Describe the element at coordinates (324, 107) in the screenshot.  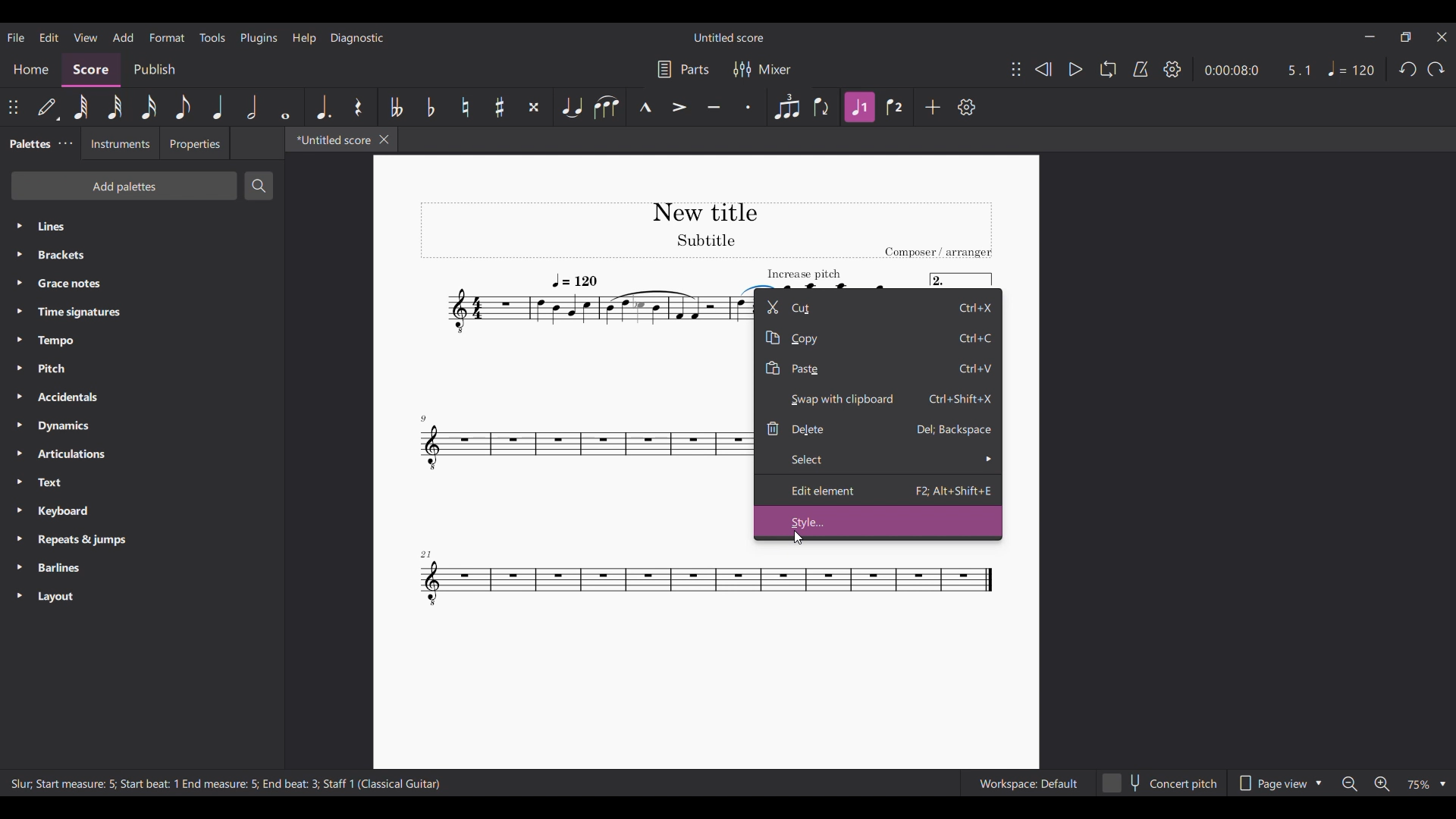
I see `Augmentation dot` at that location.